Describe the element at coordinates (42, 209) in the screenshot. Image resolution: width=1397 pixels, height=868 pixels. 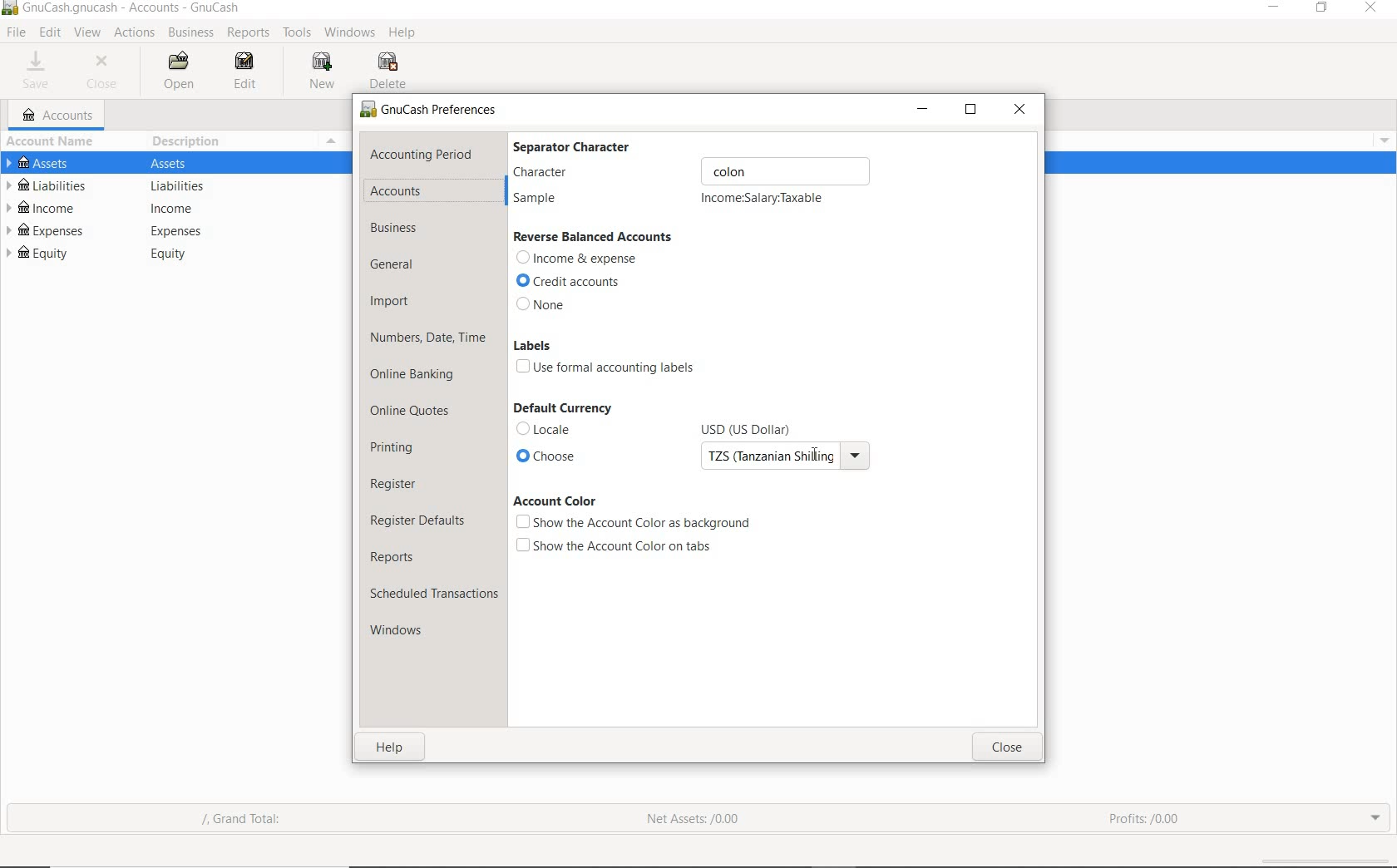
I see `INCOME` at that location.